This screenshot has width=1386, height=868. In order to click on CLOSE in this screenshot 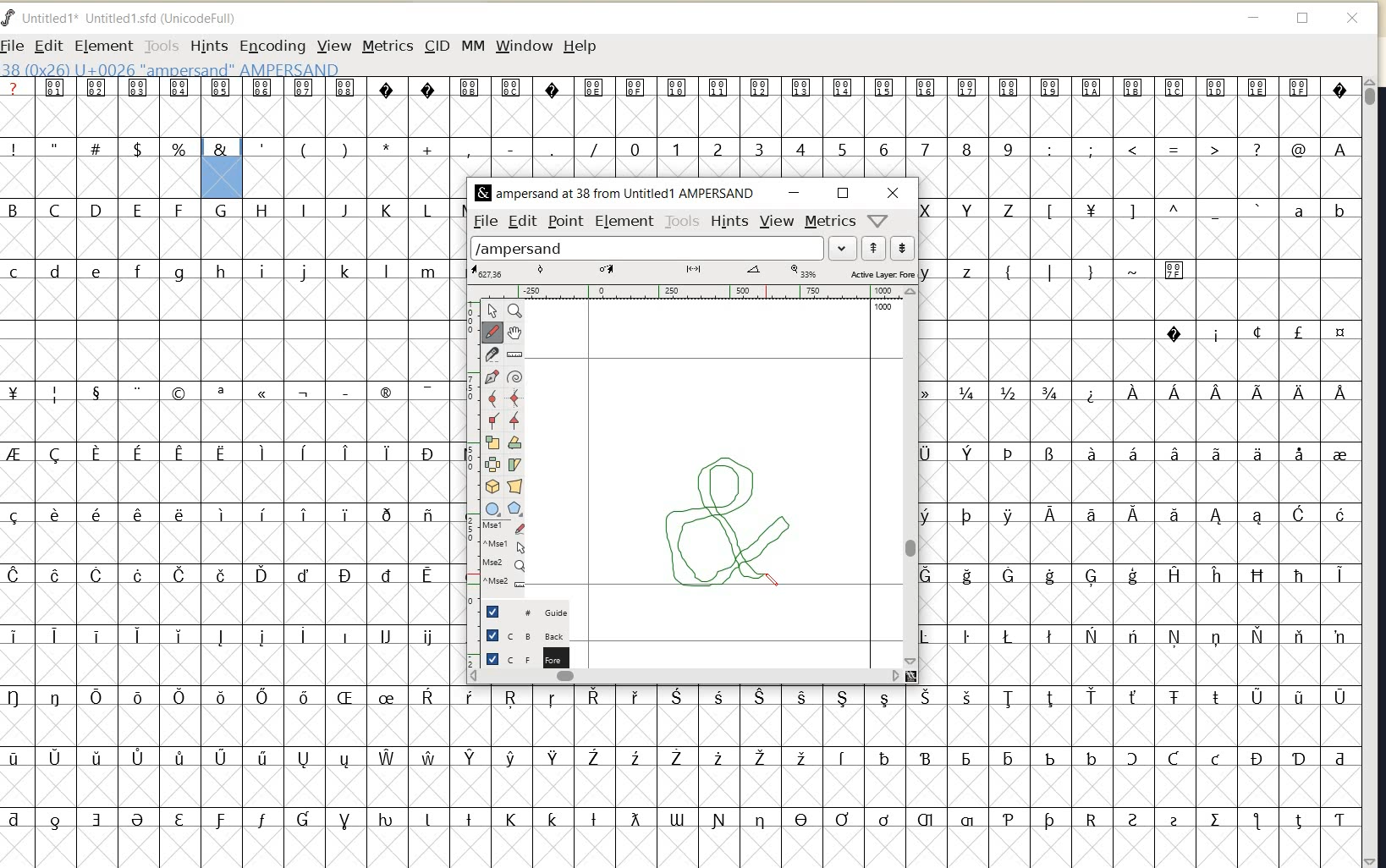, I will do `click(896, 192)`.